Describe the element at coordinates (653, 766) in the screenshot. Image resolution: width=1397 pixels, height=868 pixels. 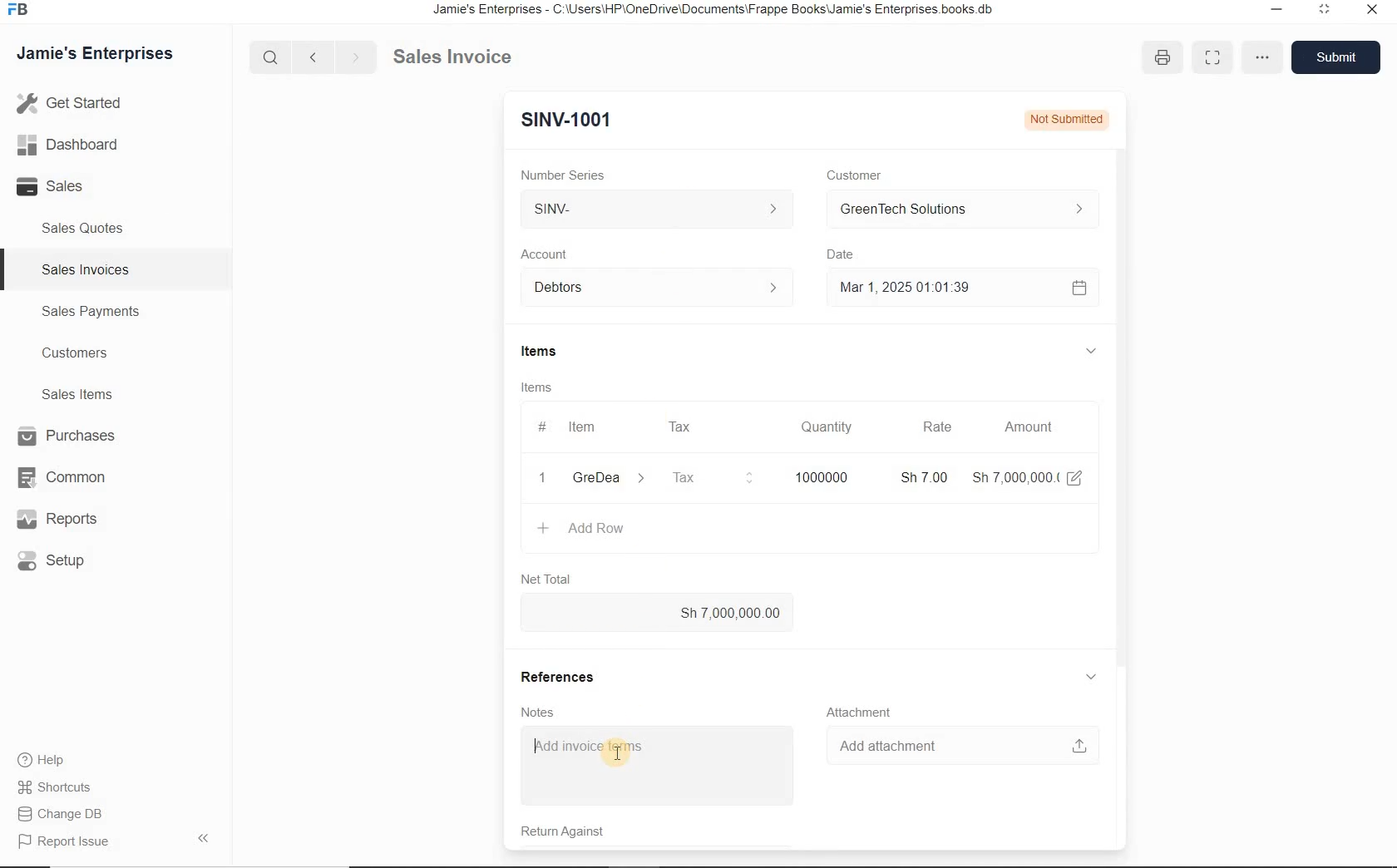
I see `Add invoice tgrms` at that location.